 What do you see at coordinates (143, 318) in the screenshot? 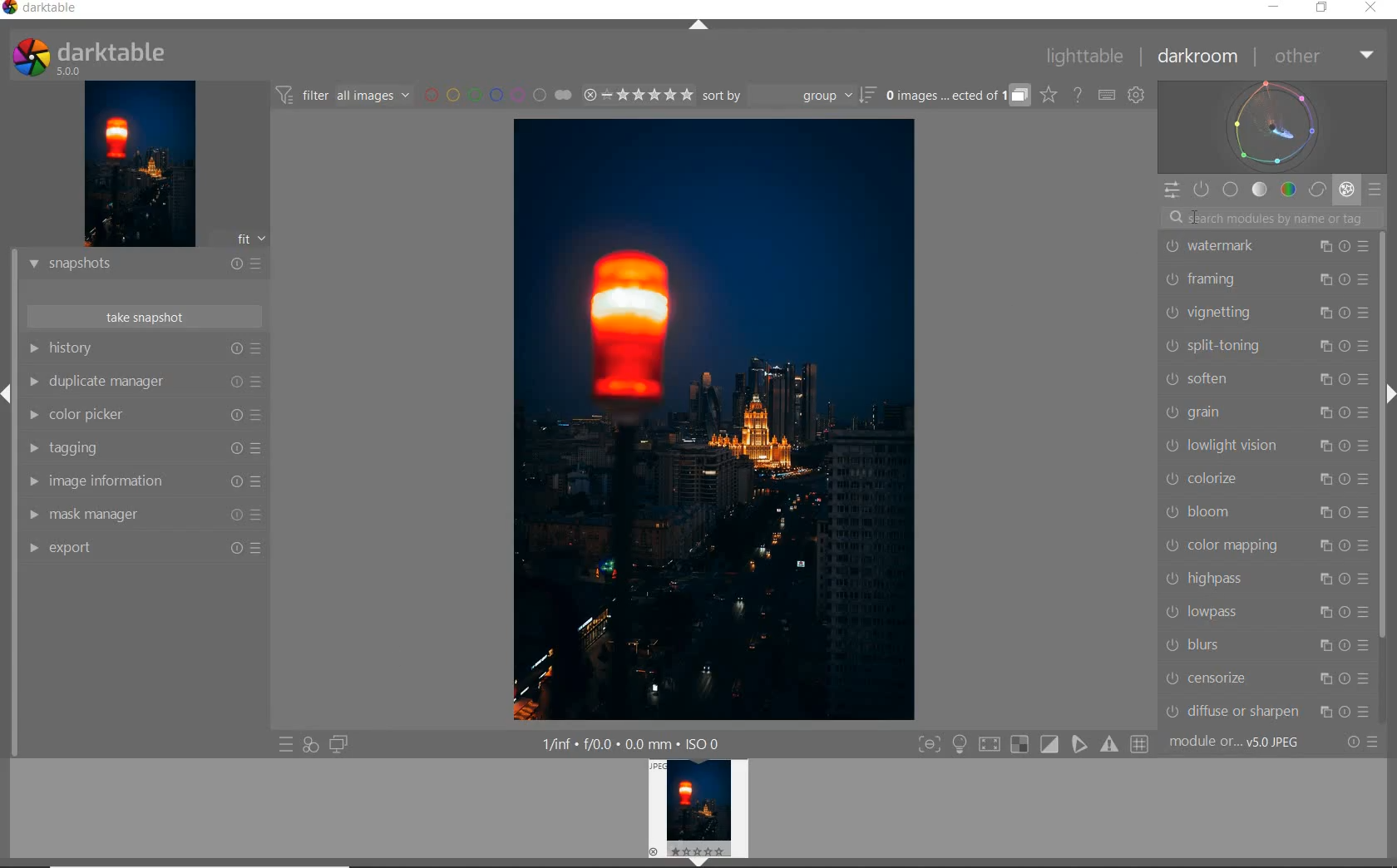
I see `TAKE SNAPSHOT` at bounding box center [143, 318].